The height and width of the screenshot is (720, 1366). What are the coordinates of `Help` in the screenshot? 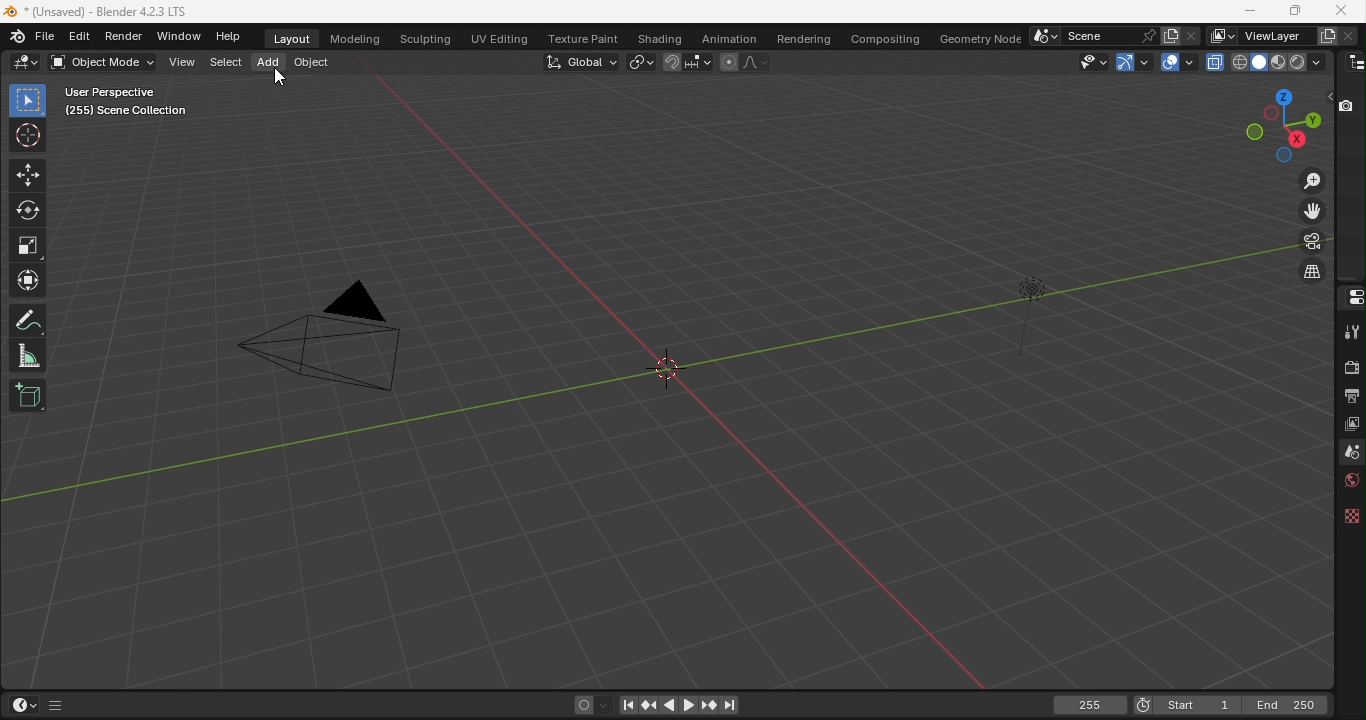 It's located at (235, 37).